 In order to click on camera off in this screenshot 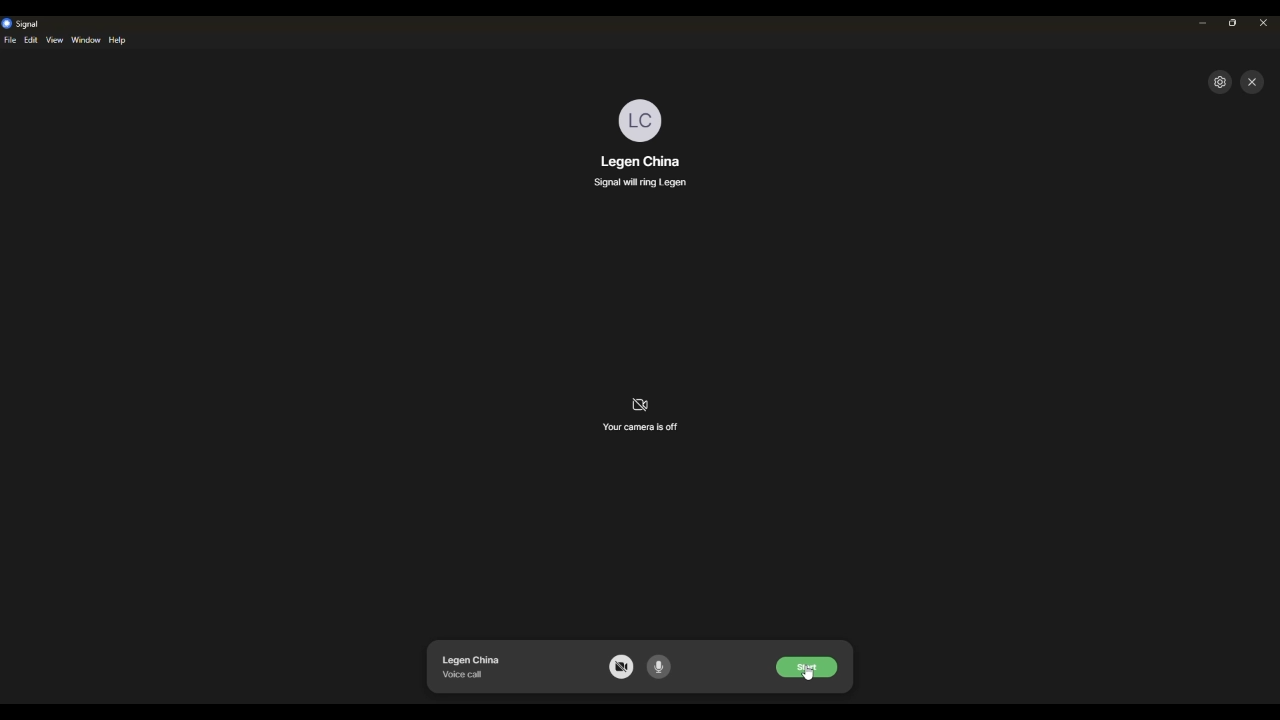, I will do `click(622, 667)`.